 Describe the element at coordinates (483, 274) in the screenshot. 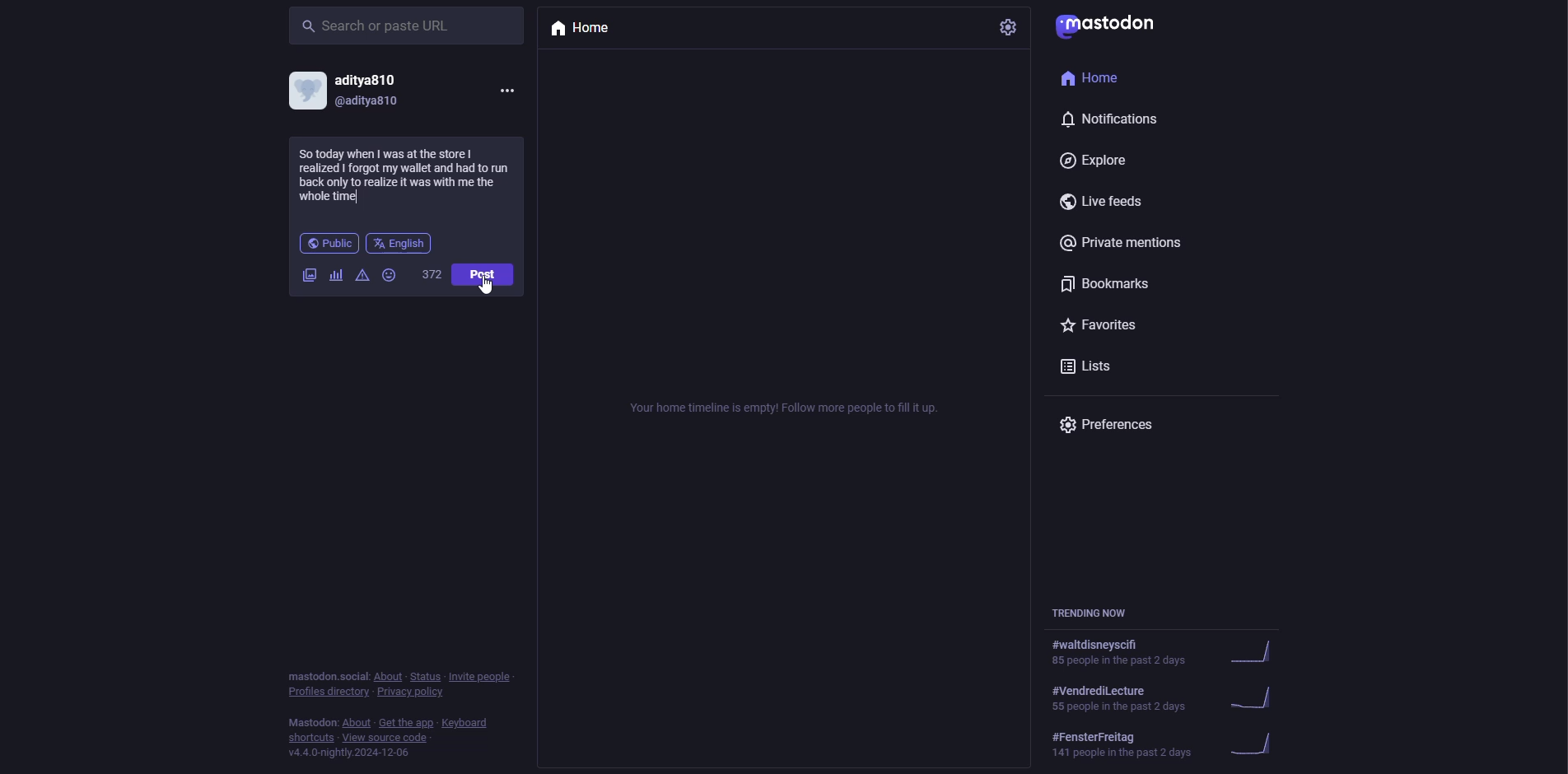

I see `post` at that location.